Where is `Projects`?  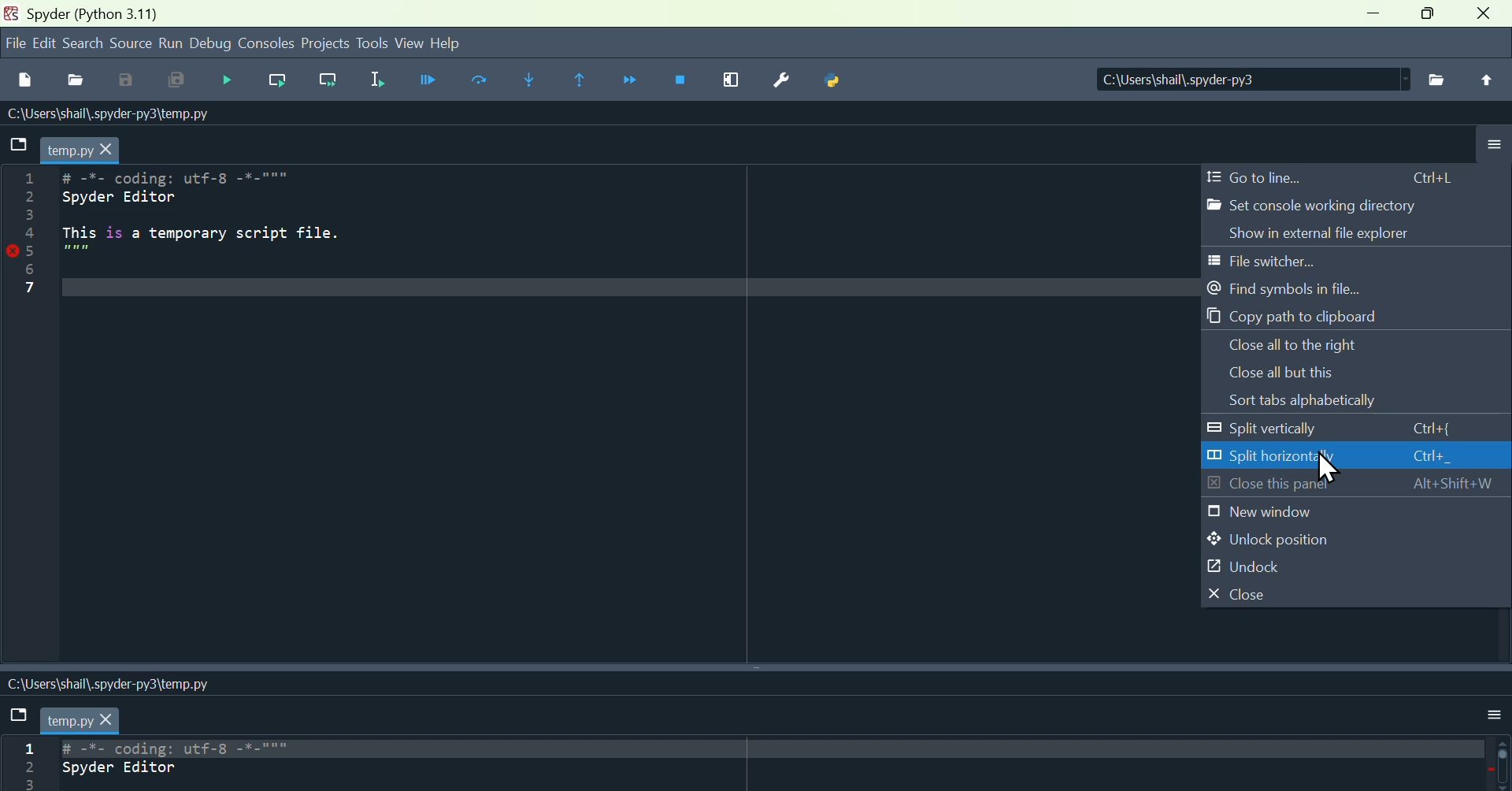 Projects is located at coordinates (324, 46).